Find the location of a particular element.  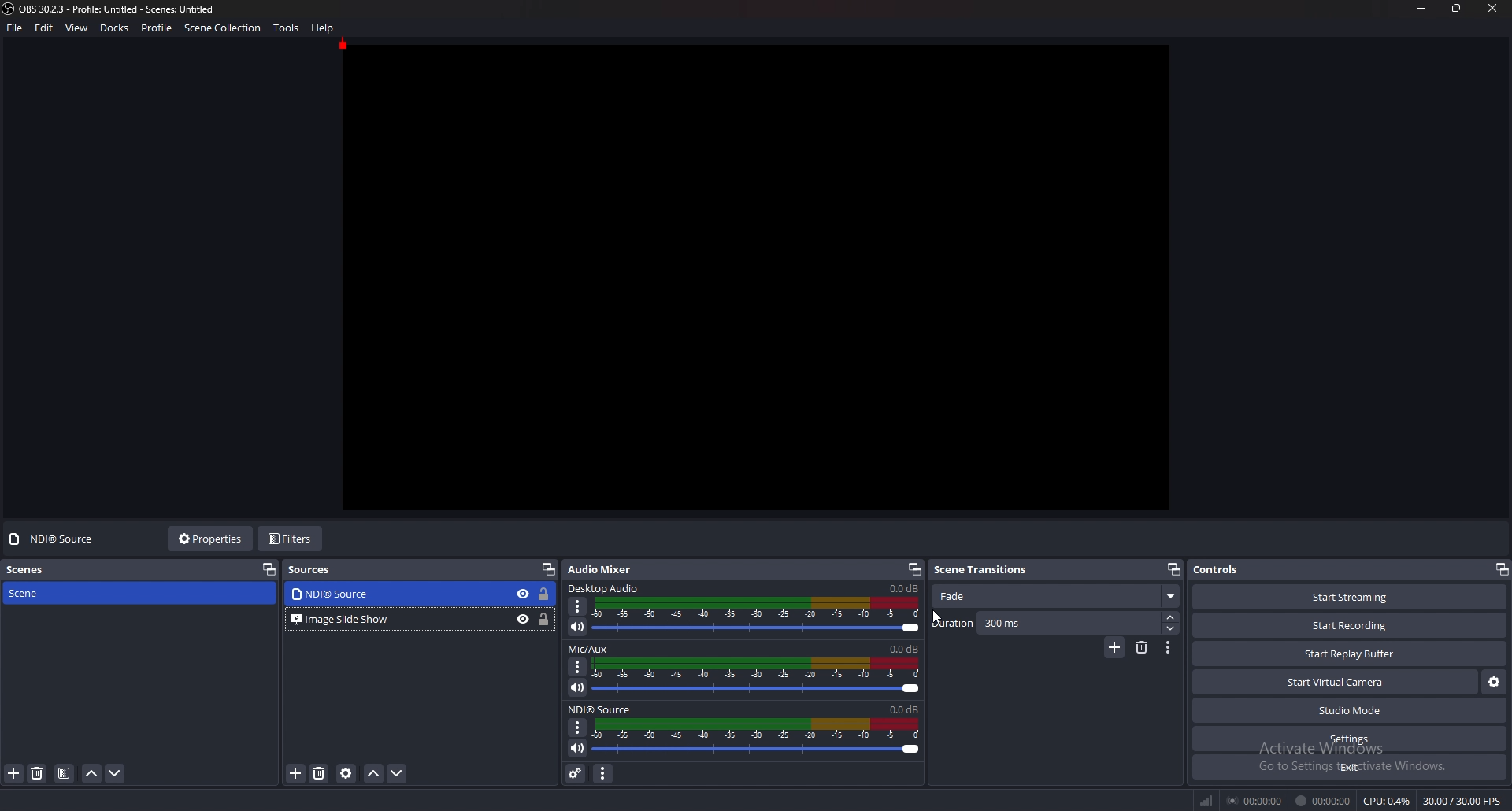

Streaming duration is located at coordinates (1254, 798).